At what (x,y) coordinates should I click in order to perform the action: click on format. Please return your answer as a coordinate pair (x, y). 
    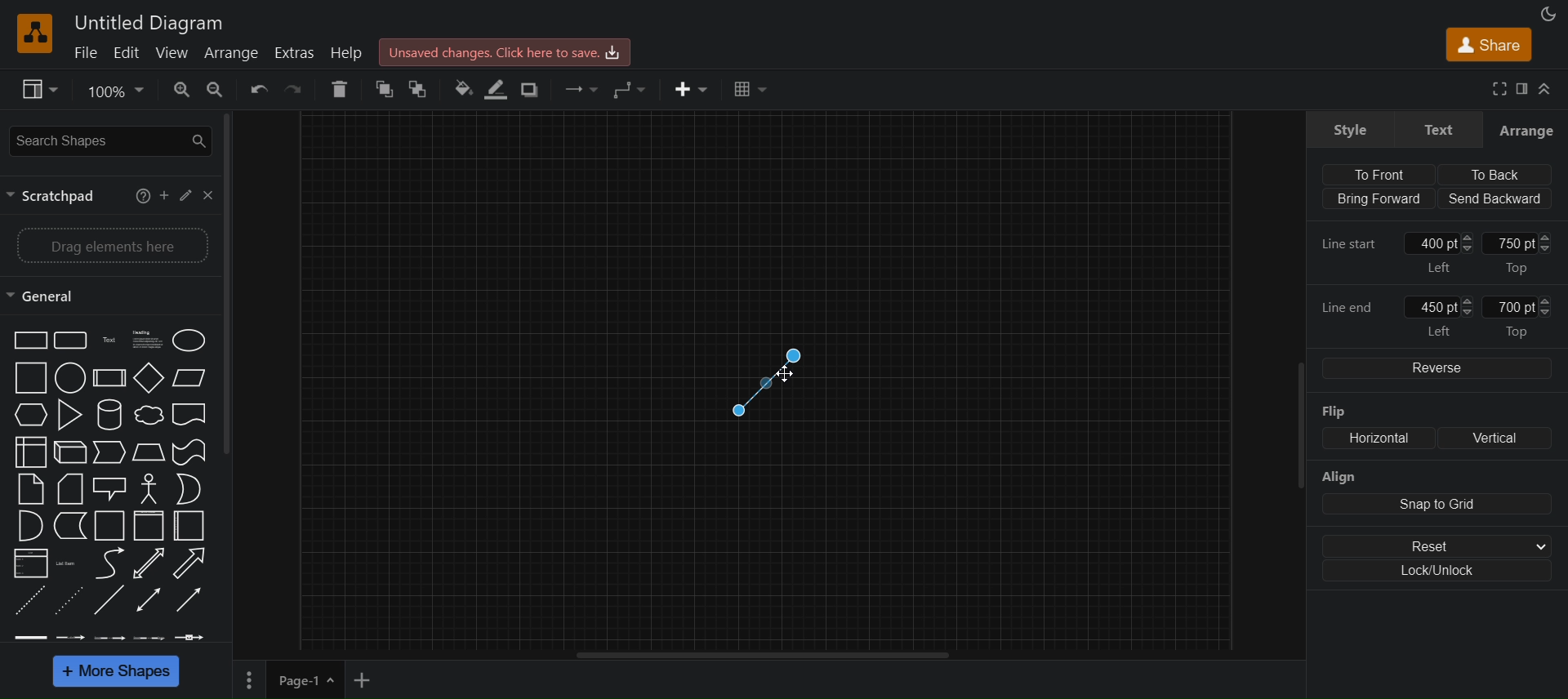
    Looking at the image, I should click on (1525, 89).